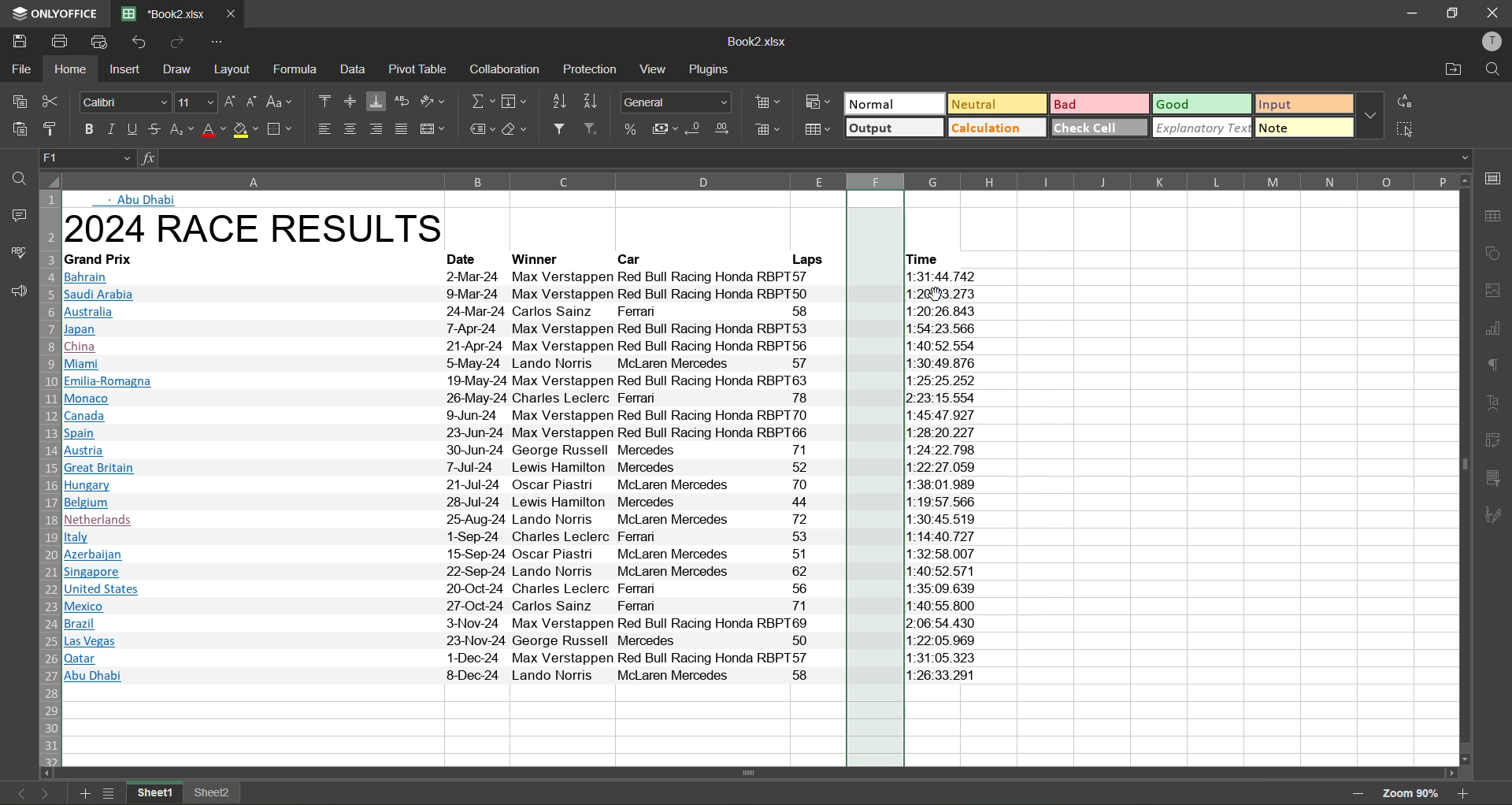  Describe the element at coordinates (469, 259) in the screenshot. I see `Date` at that location.